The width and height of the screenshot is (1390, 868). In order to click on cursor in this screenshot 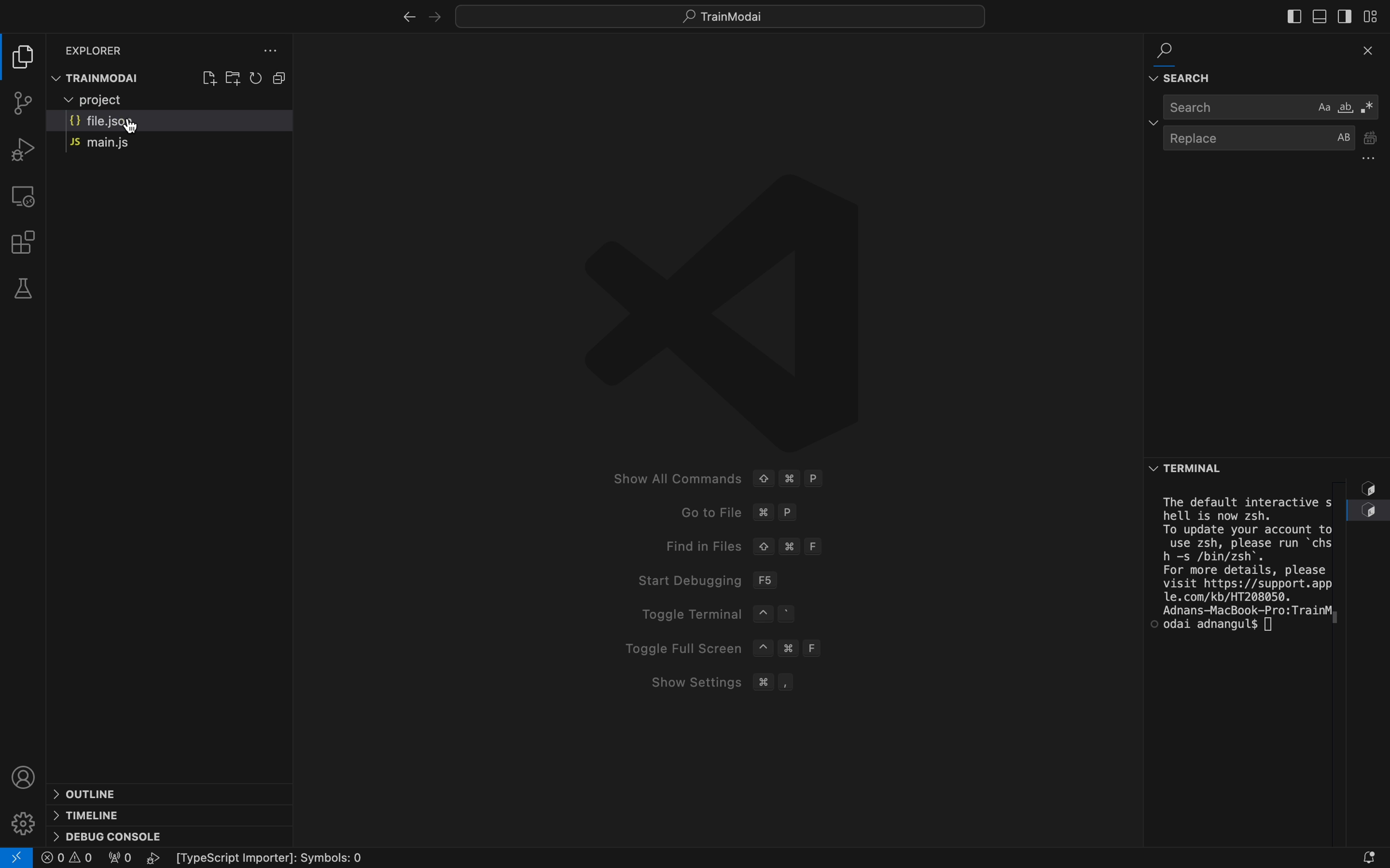, I will do `click(136, 129)`.